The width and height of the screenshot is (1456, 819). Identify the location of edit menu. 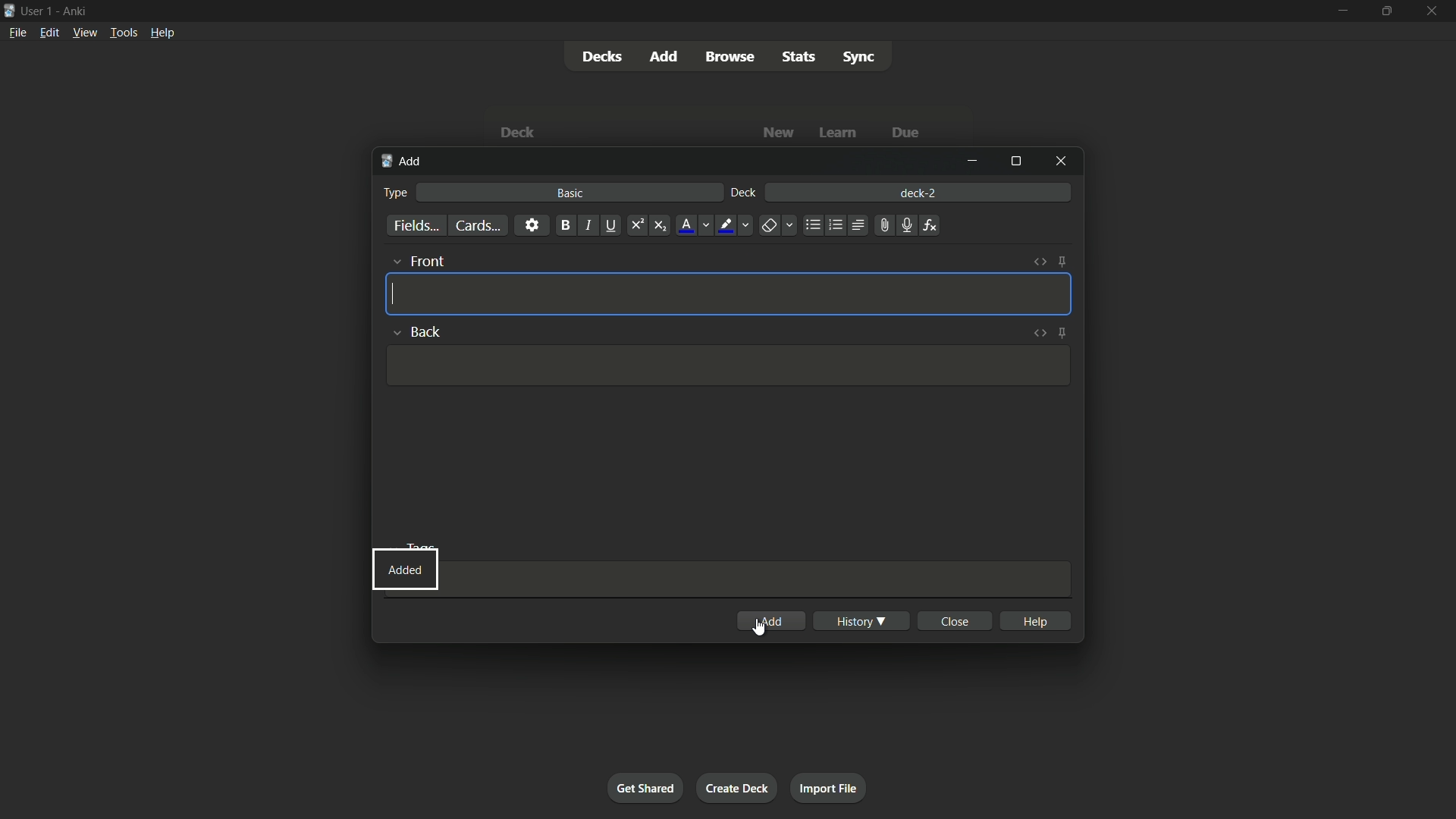
(47, 32).